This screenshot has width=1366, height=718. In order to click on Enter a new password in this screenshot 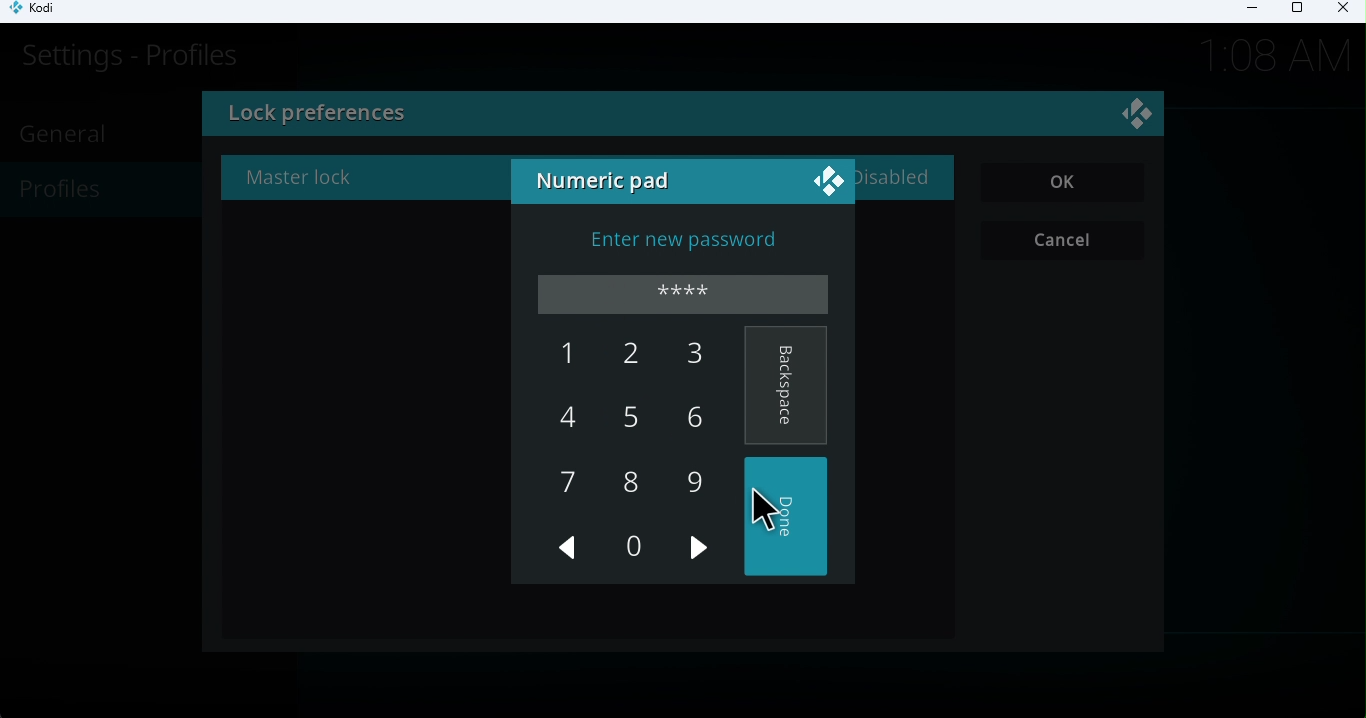, I will do `click(685, 243)`.